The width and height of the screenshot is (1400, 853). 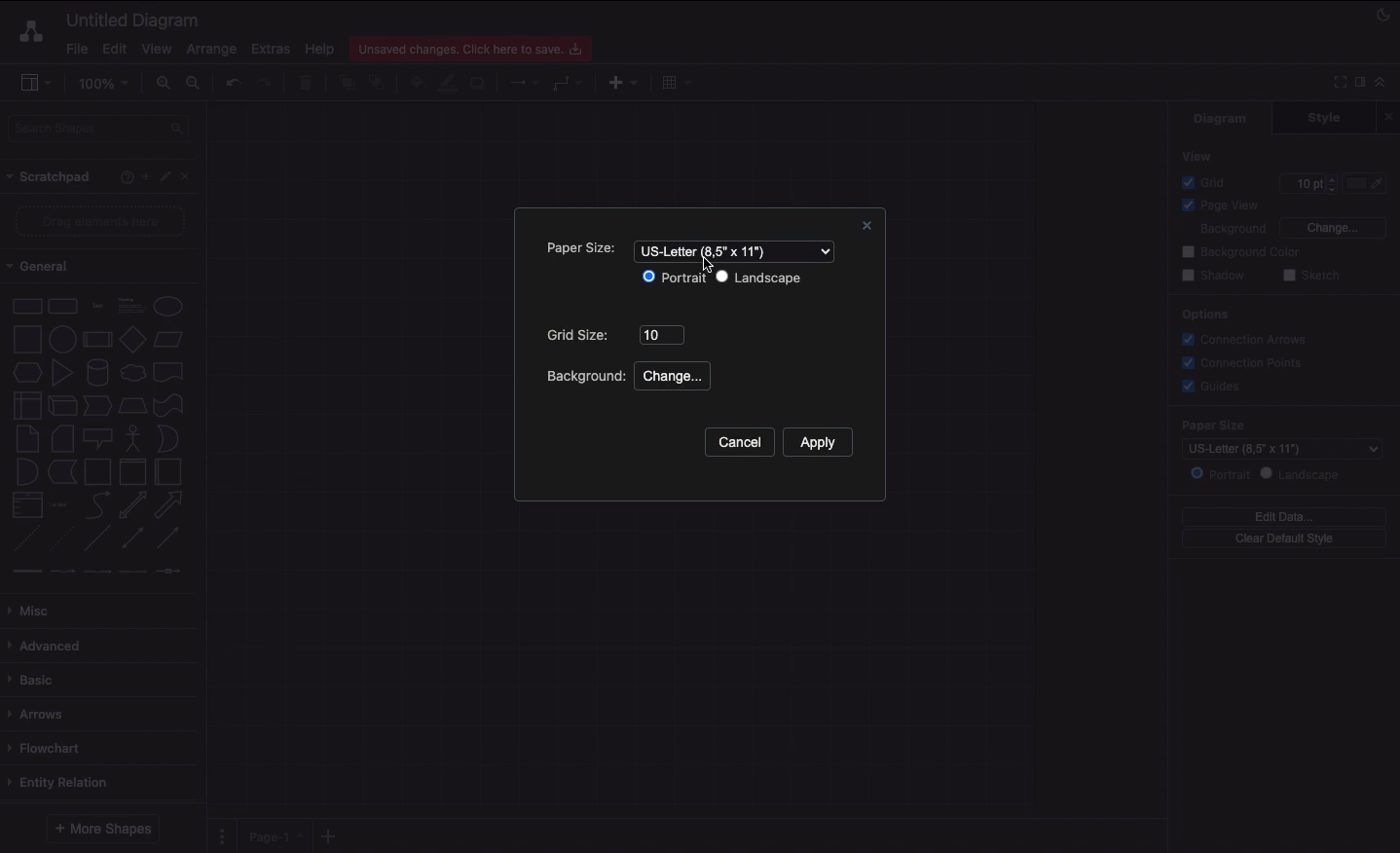 What do you see at coordinates (123, 176) in the screenshot?
I see `Help` at bounding box center [123, 176].